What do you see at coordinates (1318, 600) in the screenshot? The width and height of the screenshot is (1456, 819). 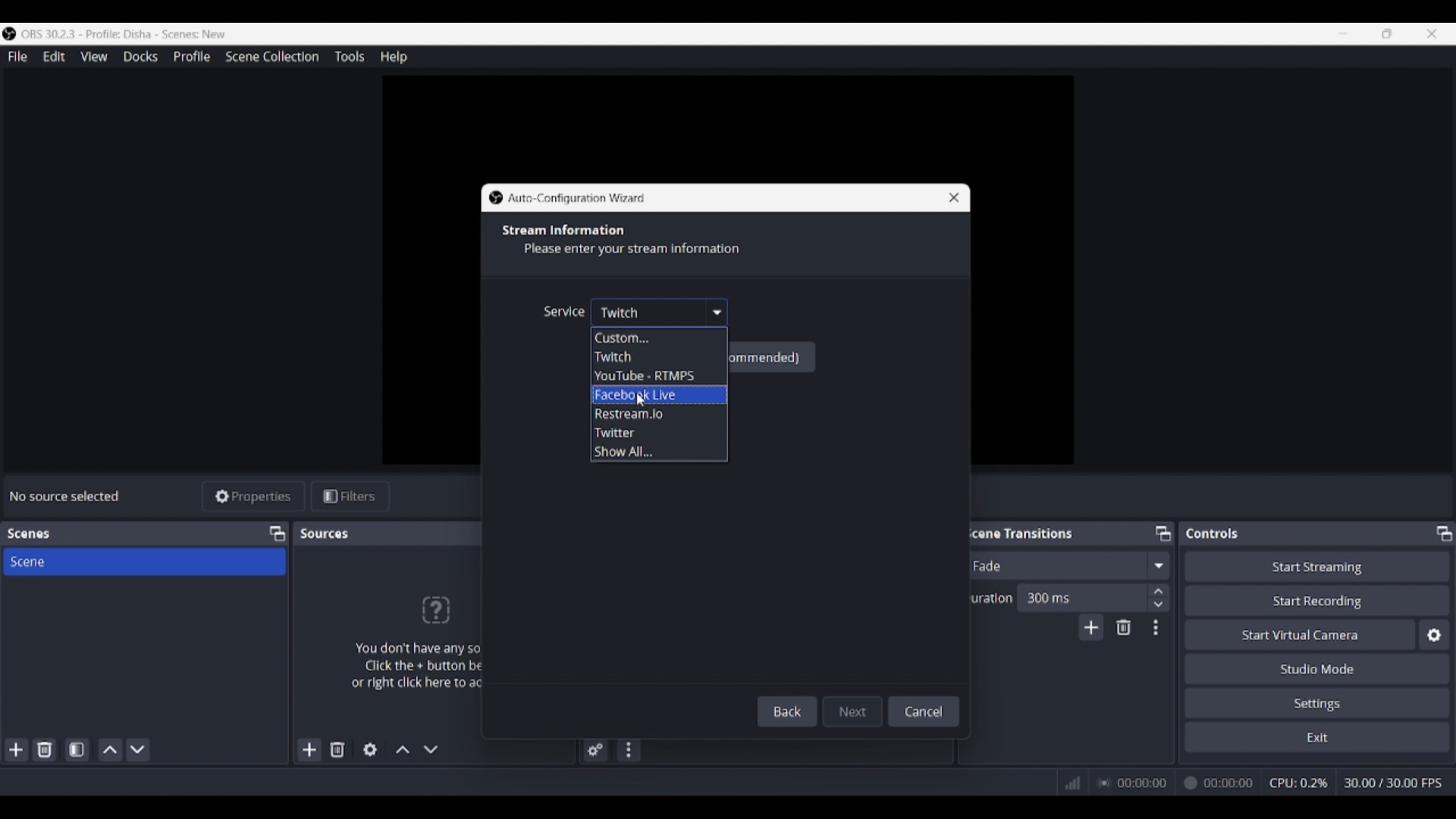 I see `Start recording` at bounding box center [1318, 600].